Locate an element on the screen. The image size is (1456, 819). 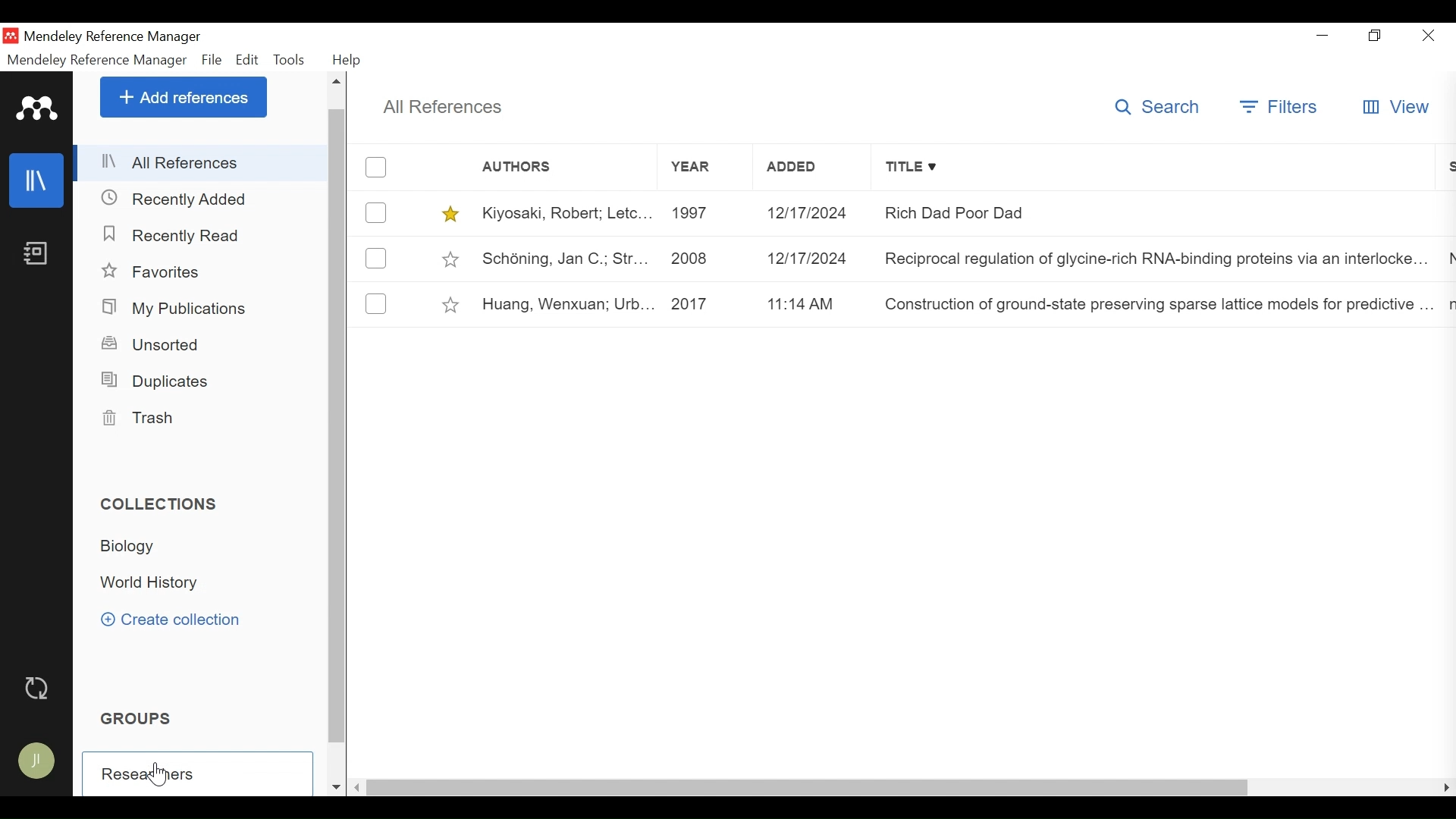
Close is located at coordinates (1429, 35).